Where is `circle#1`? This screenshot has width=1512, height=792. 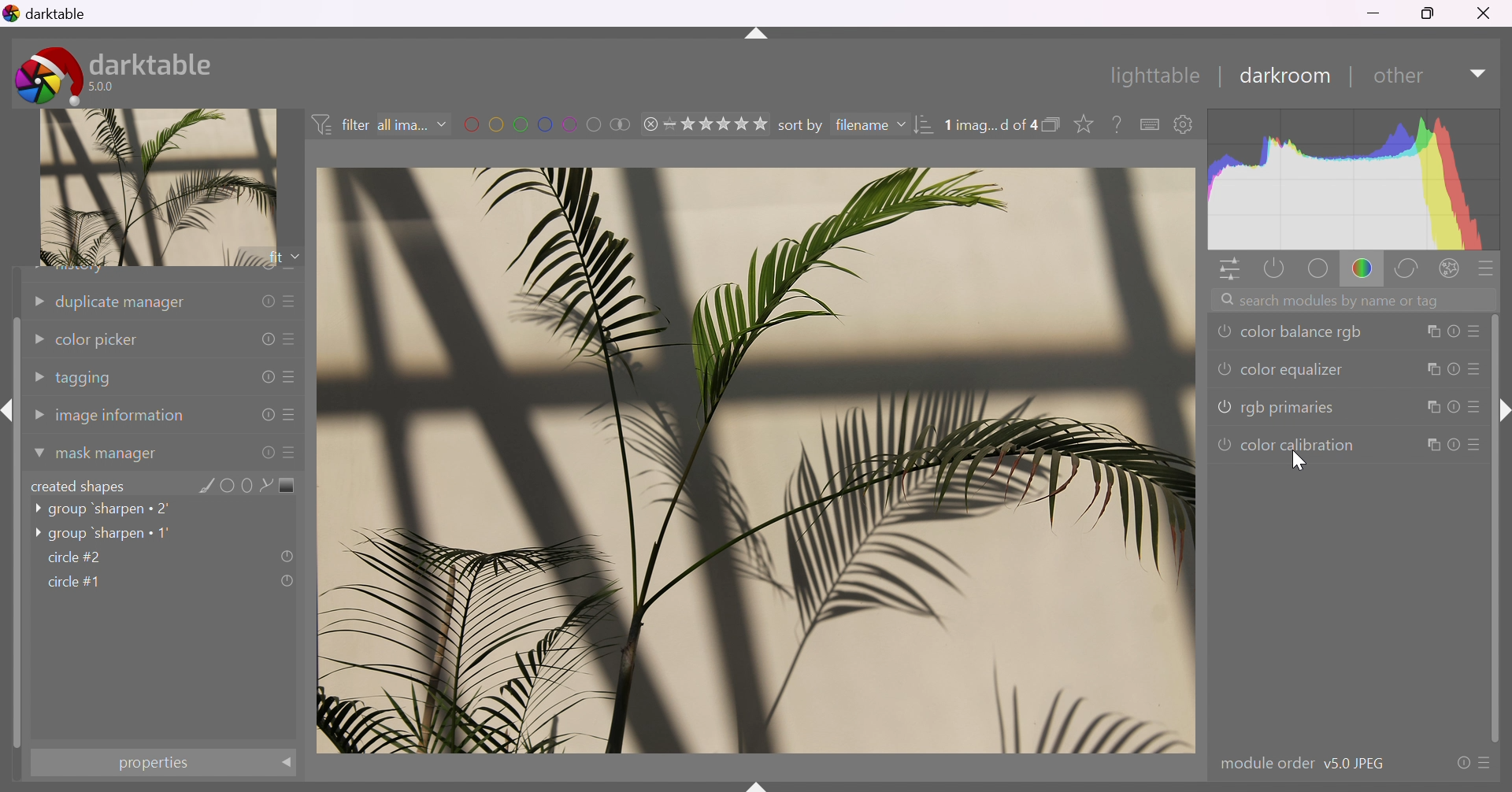 circle#1 is located at coordinates (173, 580).